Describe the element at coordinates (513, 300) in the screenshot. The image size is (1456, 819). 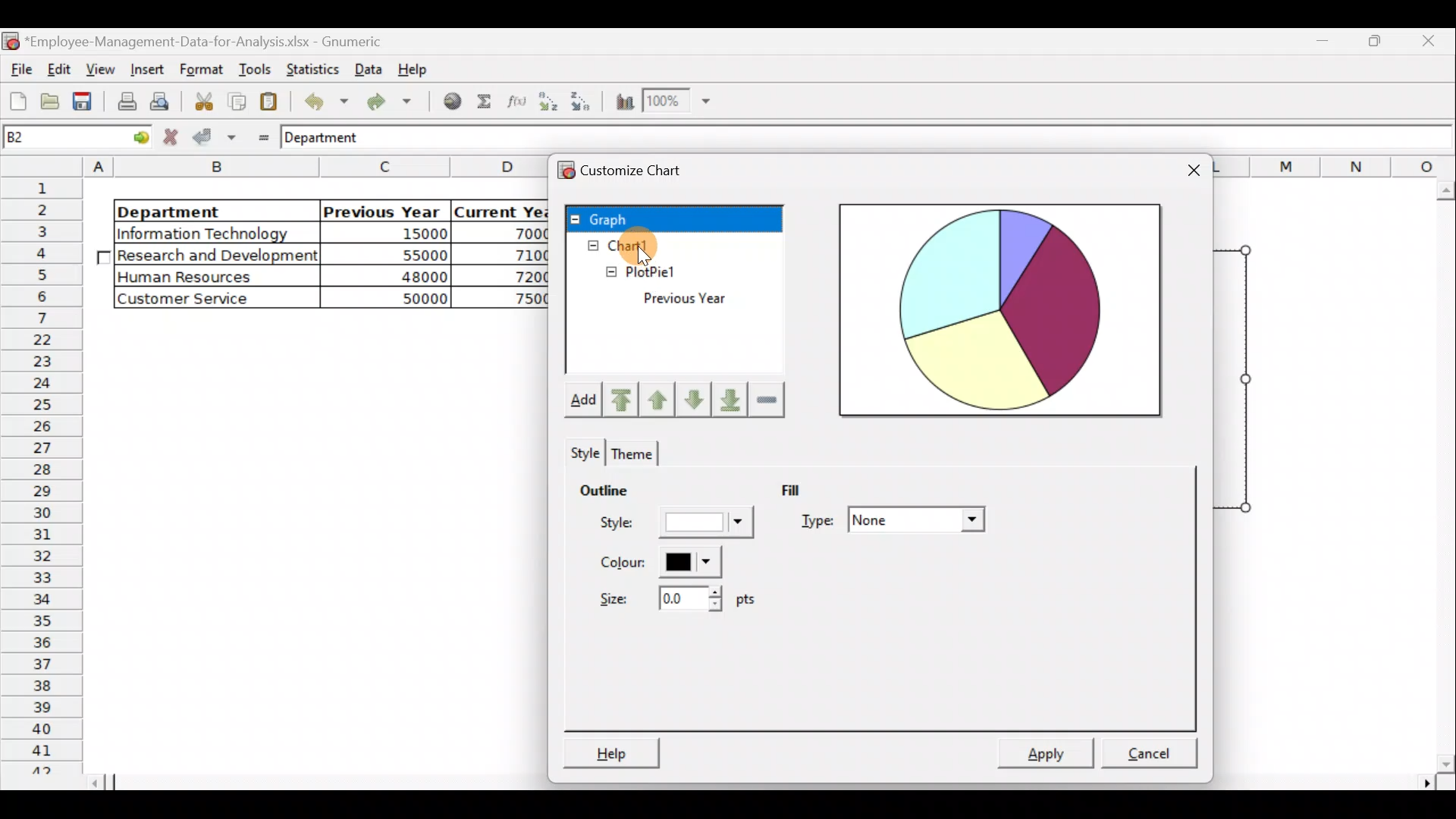
I see `75000` at that location.